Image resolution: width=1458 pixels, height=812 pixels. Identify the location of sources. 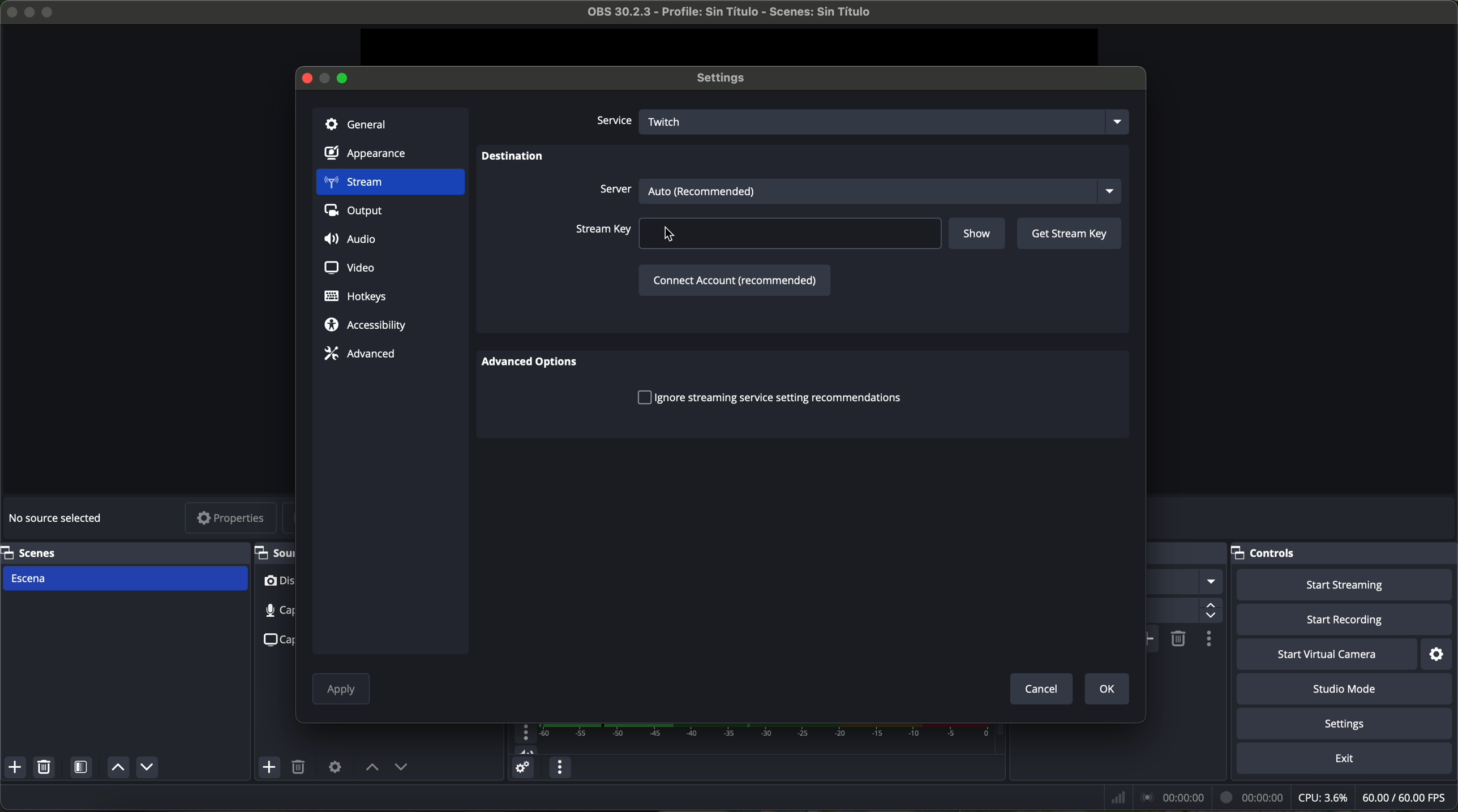
(273, 552).